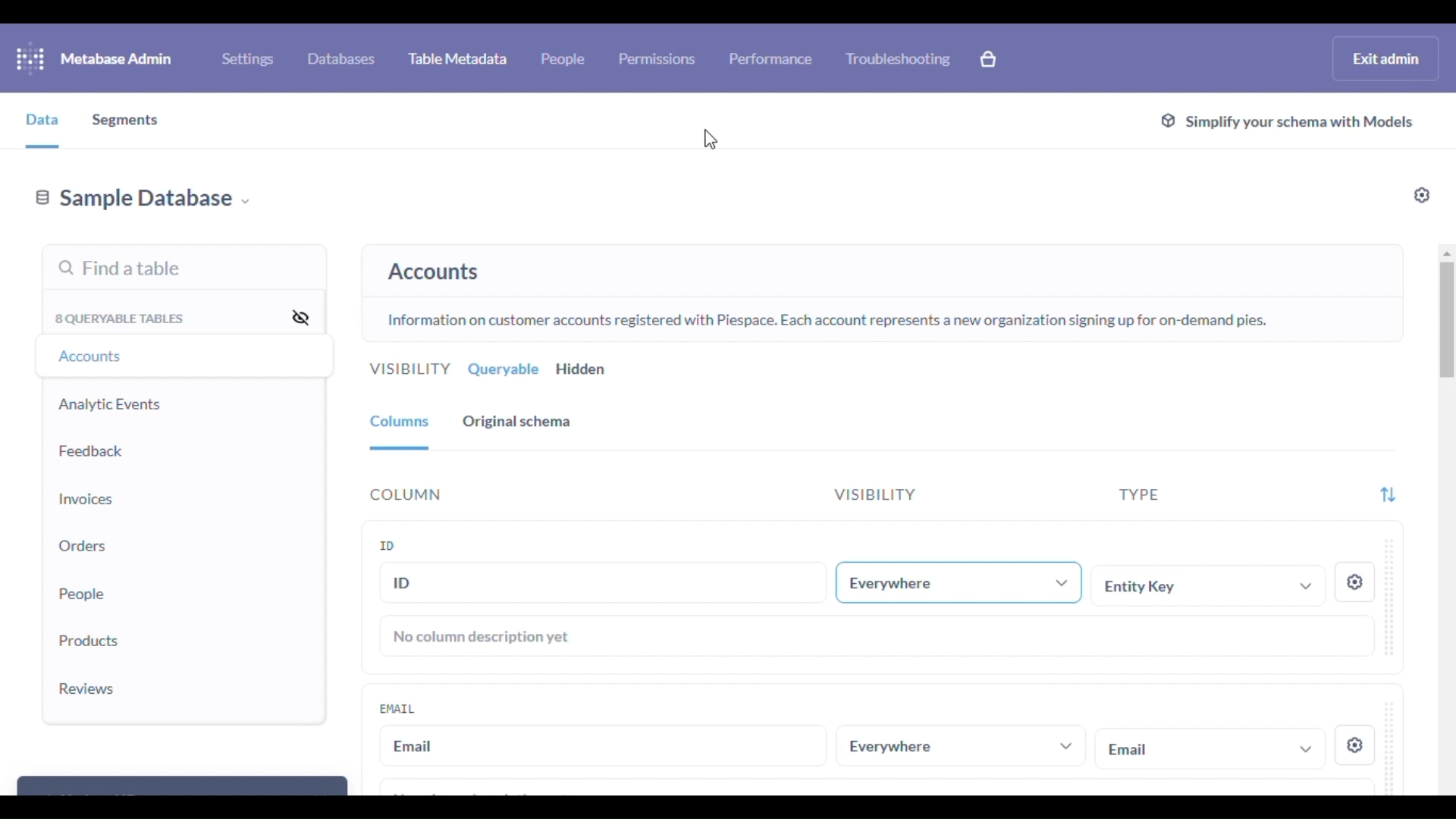  What do you see at coordinates (899, 58) in the screenshot?
I see `troubleshooting` at bounding box center [899, 58].